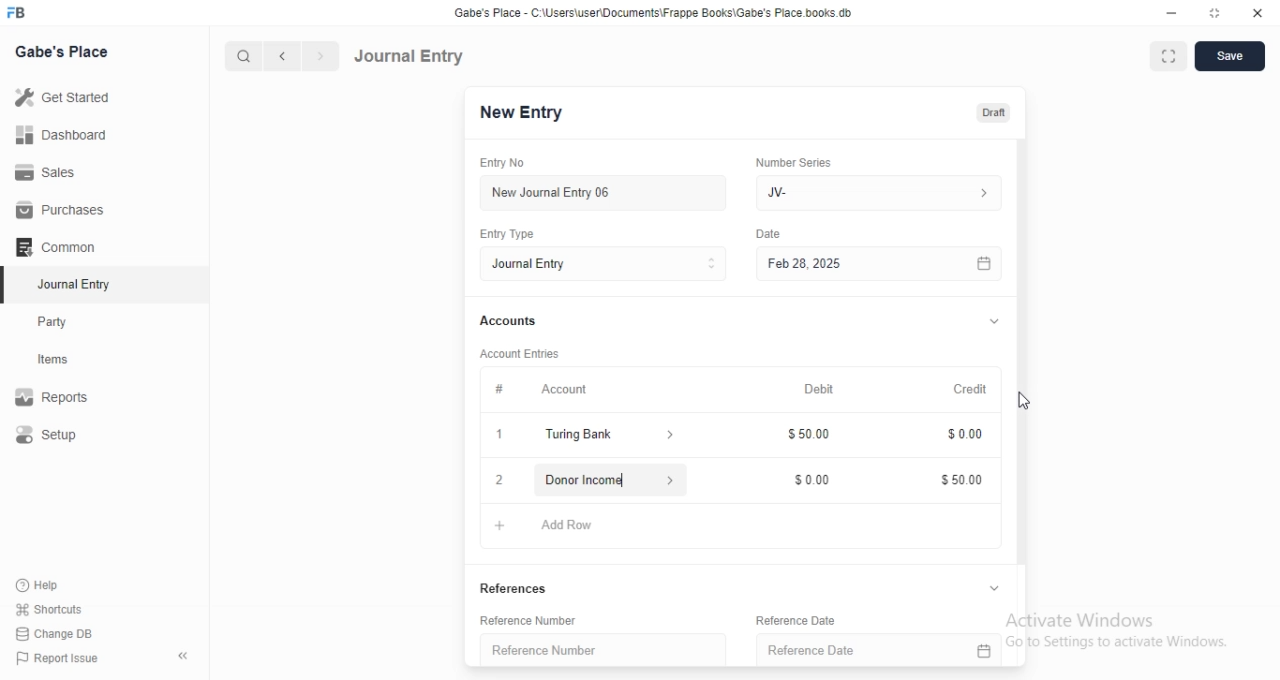  What do you see at coordinates (818, 390) in the screenshot?
I see `Debit` at bounding box center [818, 390].